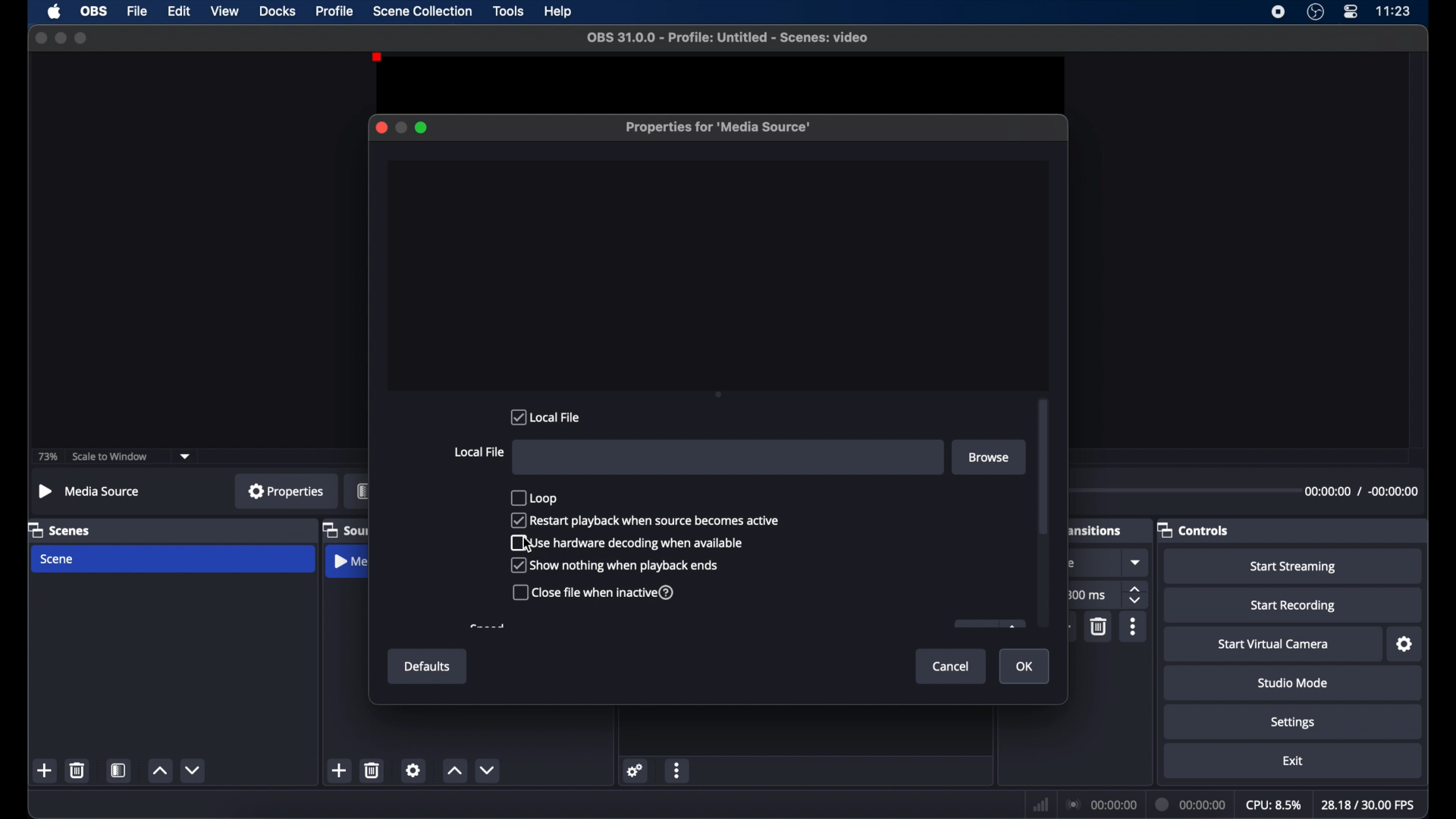 This screenshot has width=1456, height=819. Describe the element at coordinates (1294, 761) in the screenshot. I see `exit` at that location.